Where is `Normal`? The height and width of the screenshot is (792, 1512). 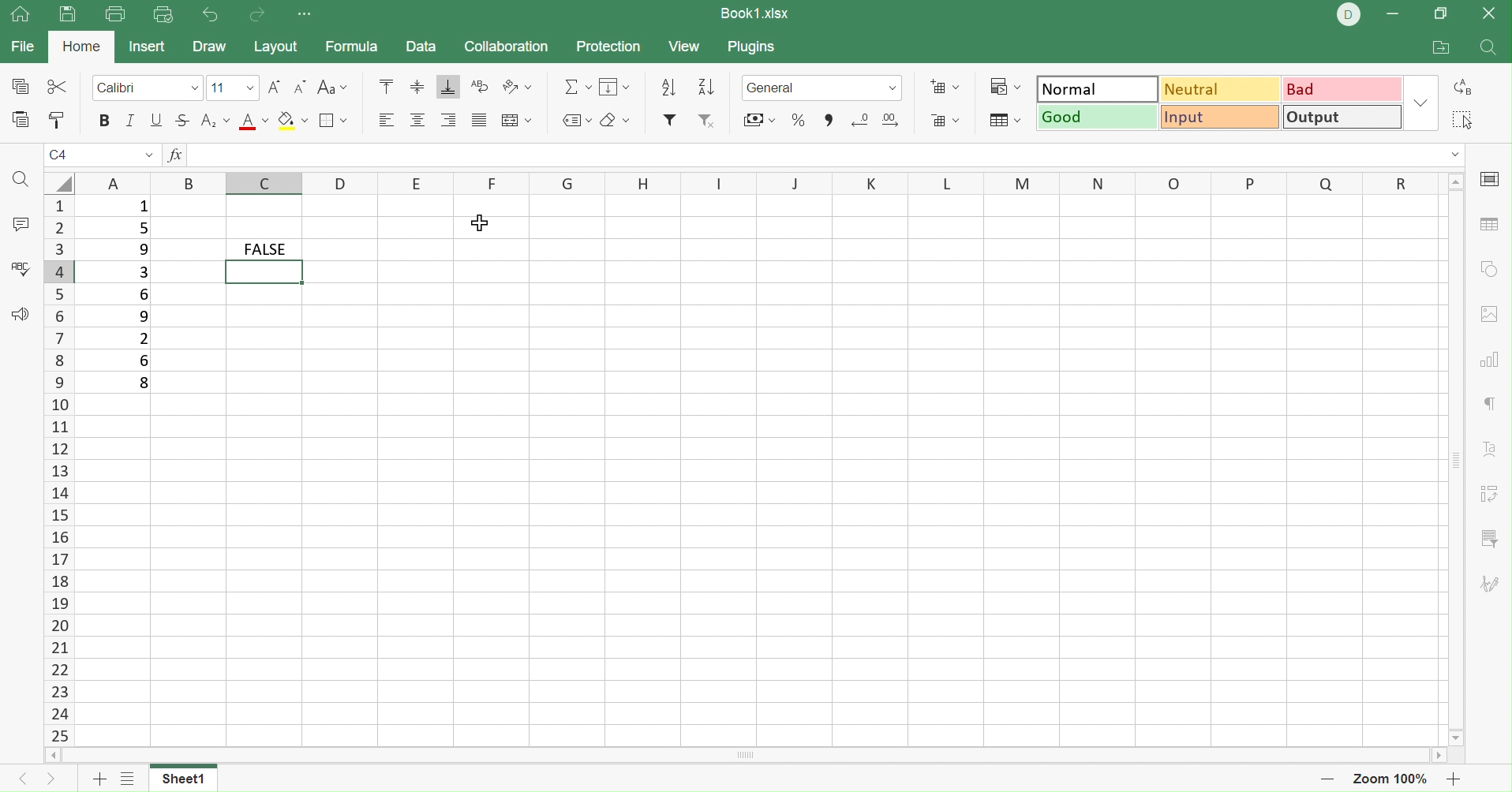
Normal is located at coordinates (1098, 87).